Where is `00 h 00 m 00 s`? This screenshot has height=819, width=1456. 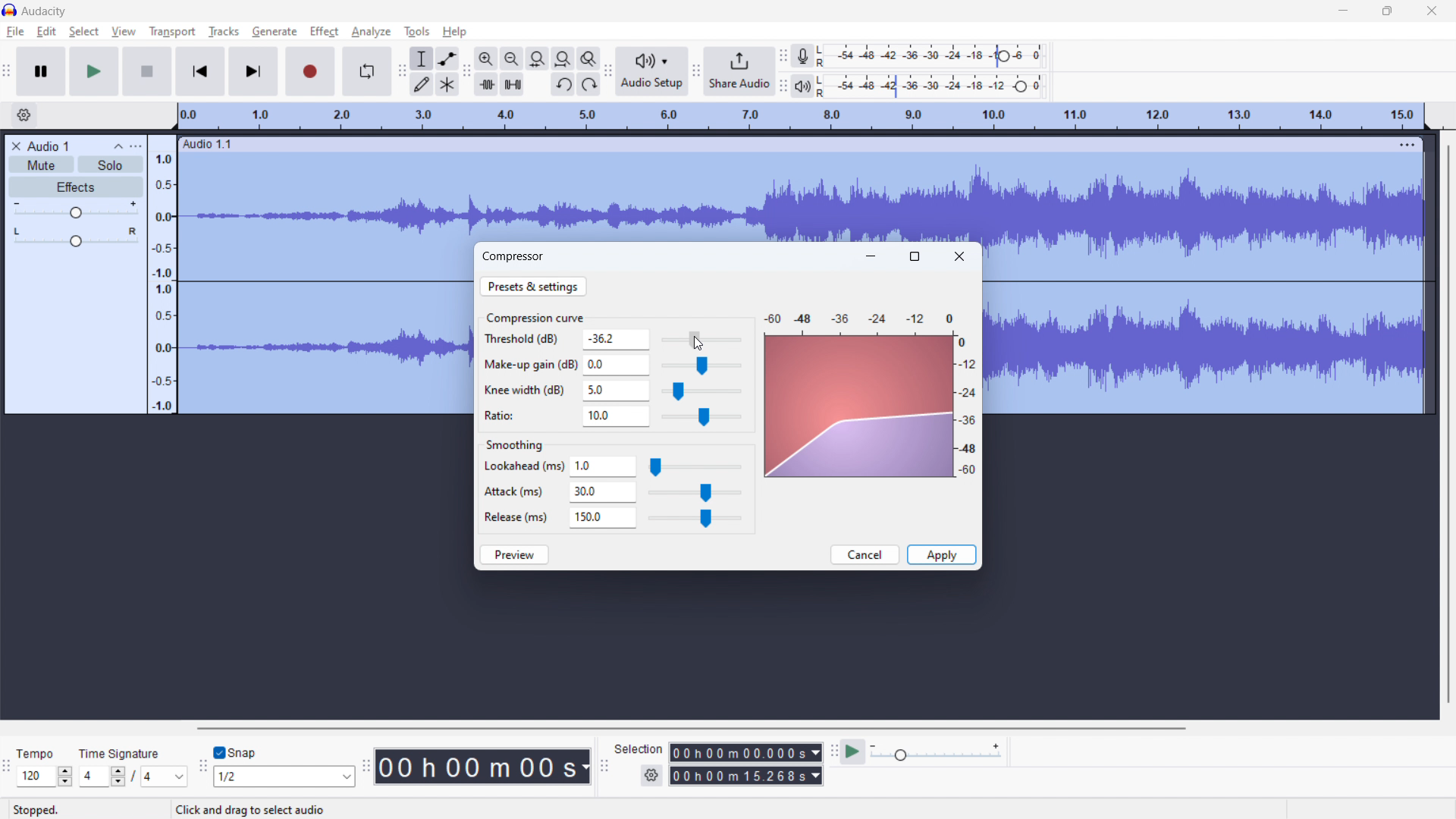 00 h 00 m 00 s is located at coordinates (482, 763).